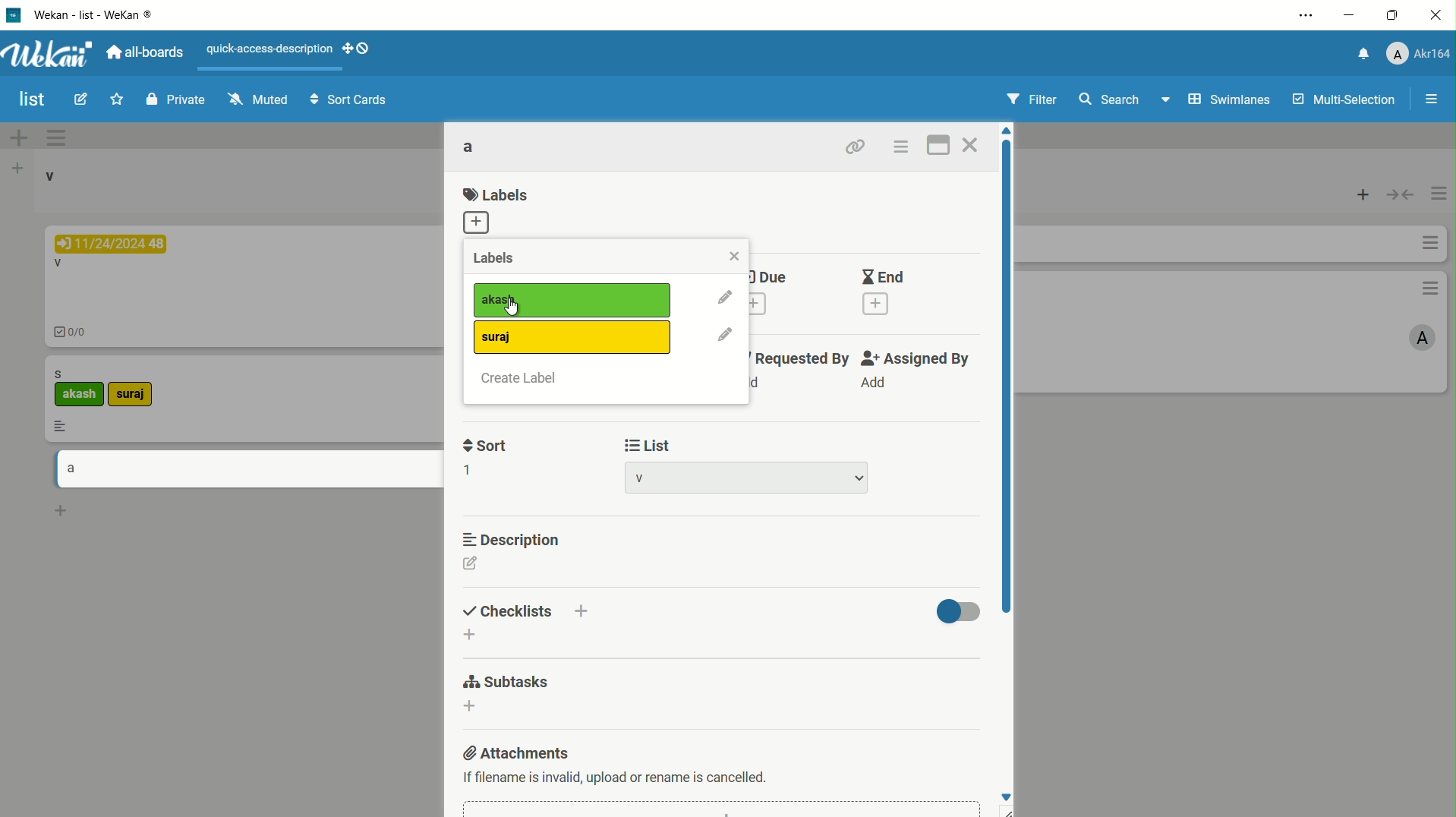  Describe the element at coordinates (64, 426) in the screenshot. I see `more` at that location.